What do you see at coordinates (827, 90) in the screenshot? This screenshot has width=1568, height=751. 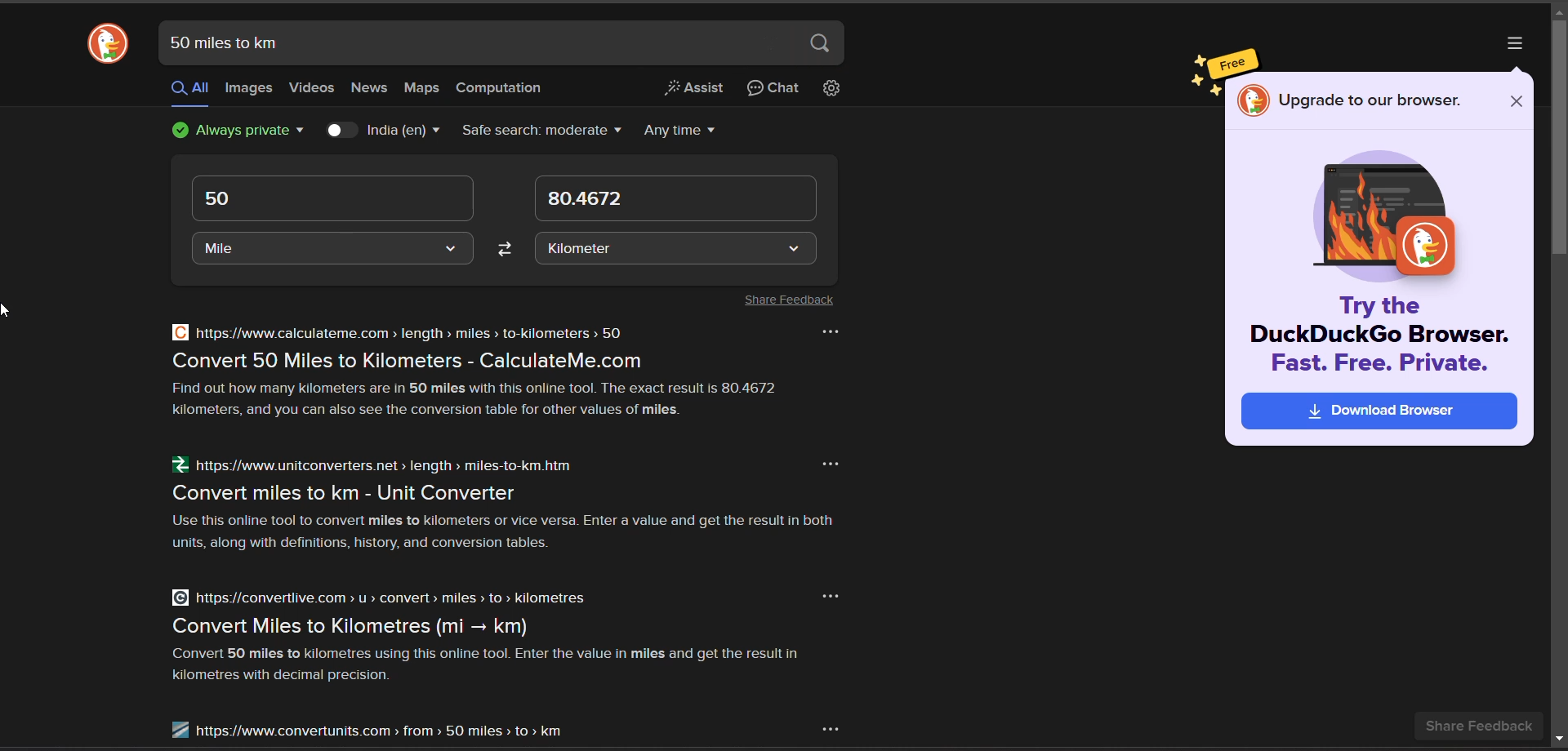 I see `change search settings` at bounding box center [827, 90].